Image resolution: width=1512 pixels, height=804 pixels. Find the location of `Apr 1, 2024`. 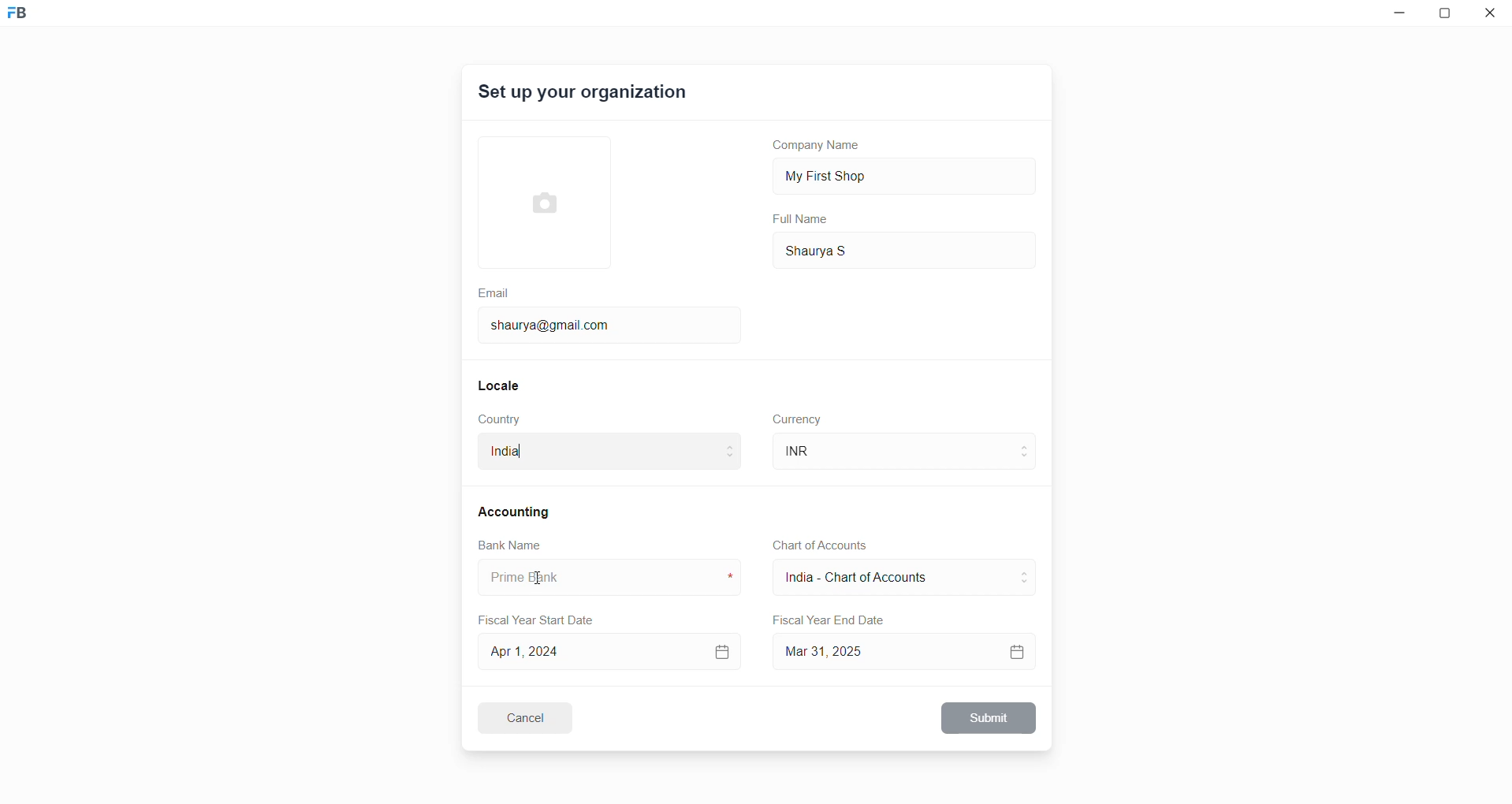

Apr 1, 2024 is located at coordinates (608, 650).